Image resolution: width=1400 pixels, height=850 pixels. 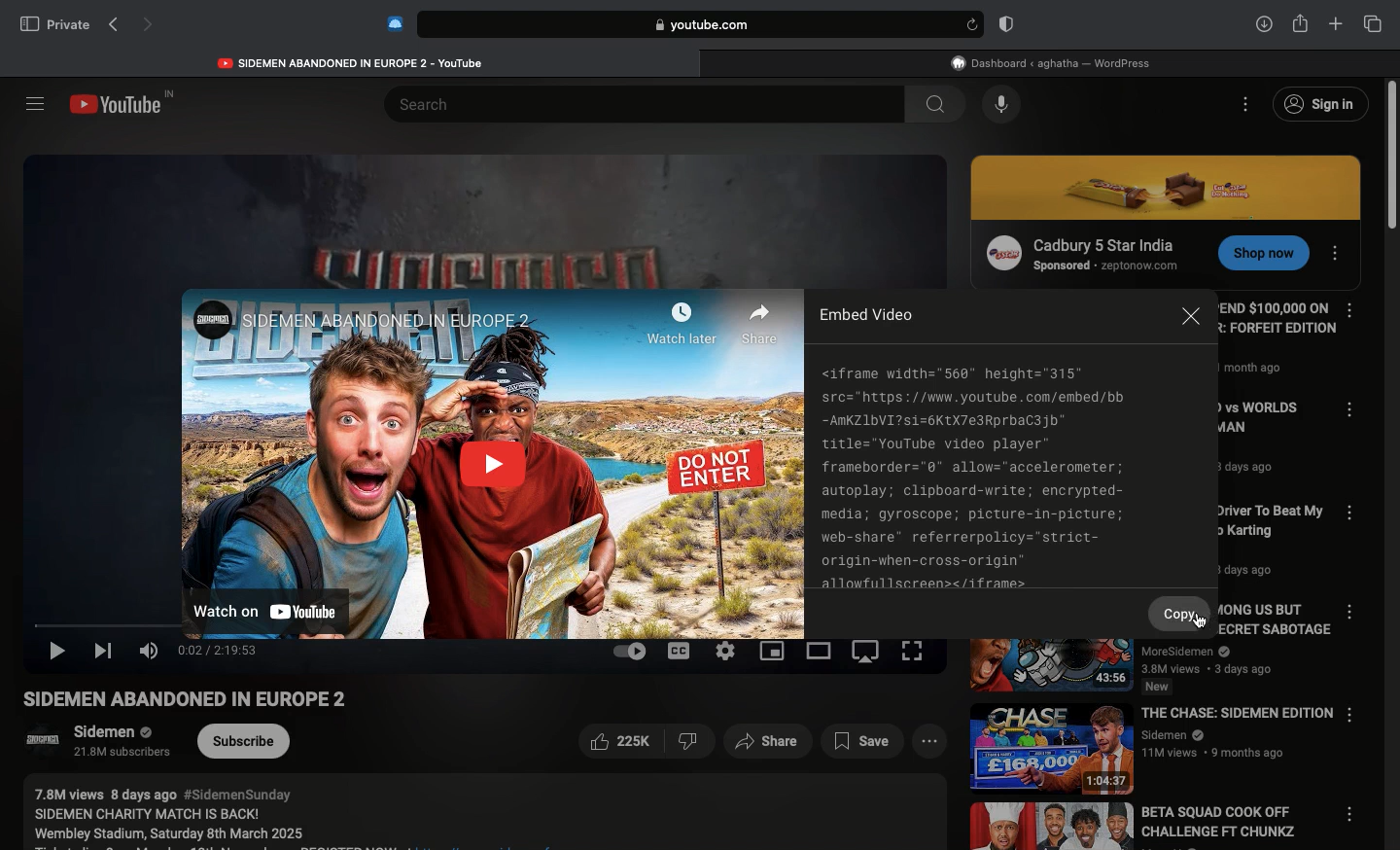 What do you see at coordinates (970, 24) in the screenshot?
I see `refresh` at bounding box center [970, 24].